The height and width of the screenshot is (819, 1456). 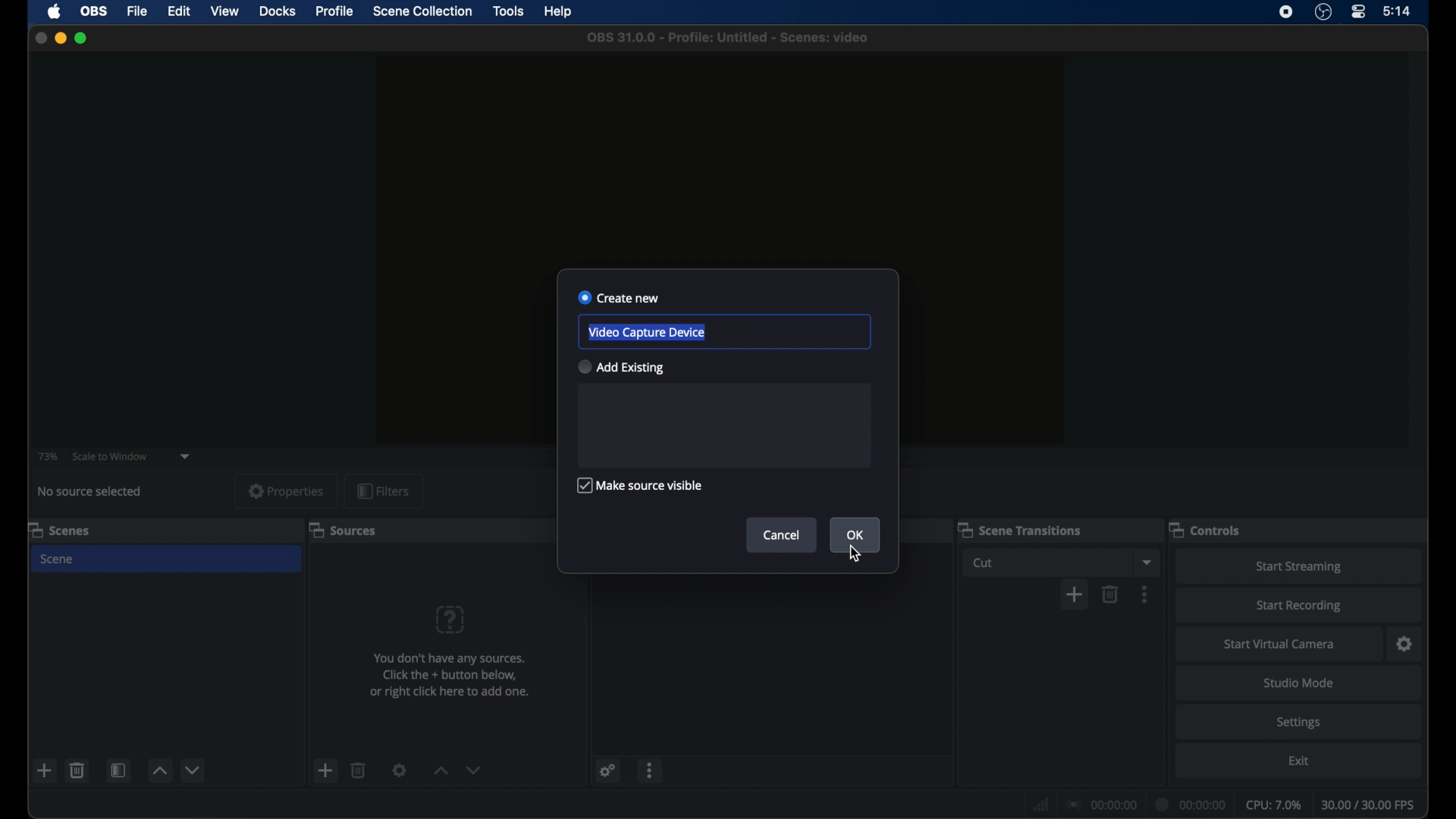 What do you see at coordinates (194, 770) in the screenshot?
I see `decrement` at bounding box center [194, 770].